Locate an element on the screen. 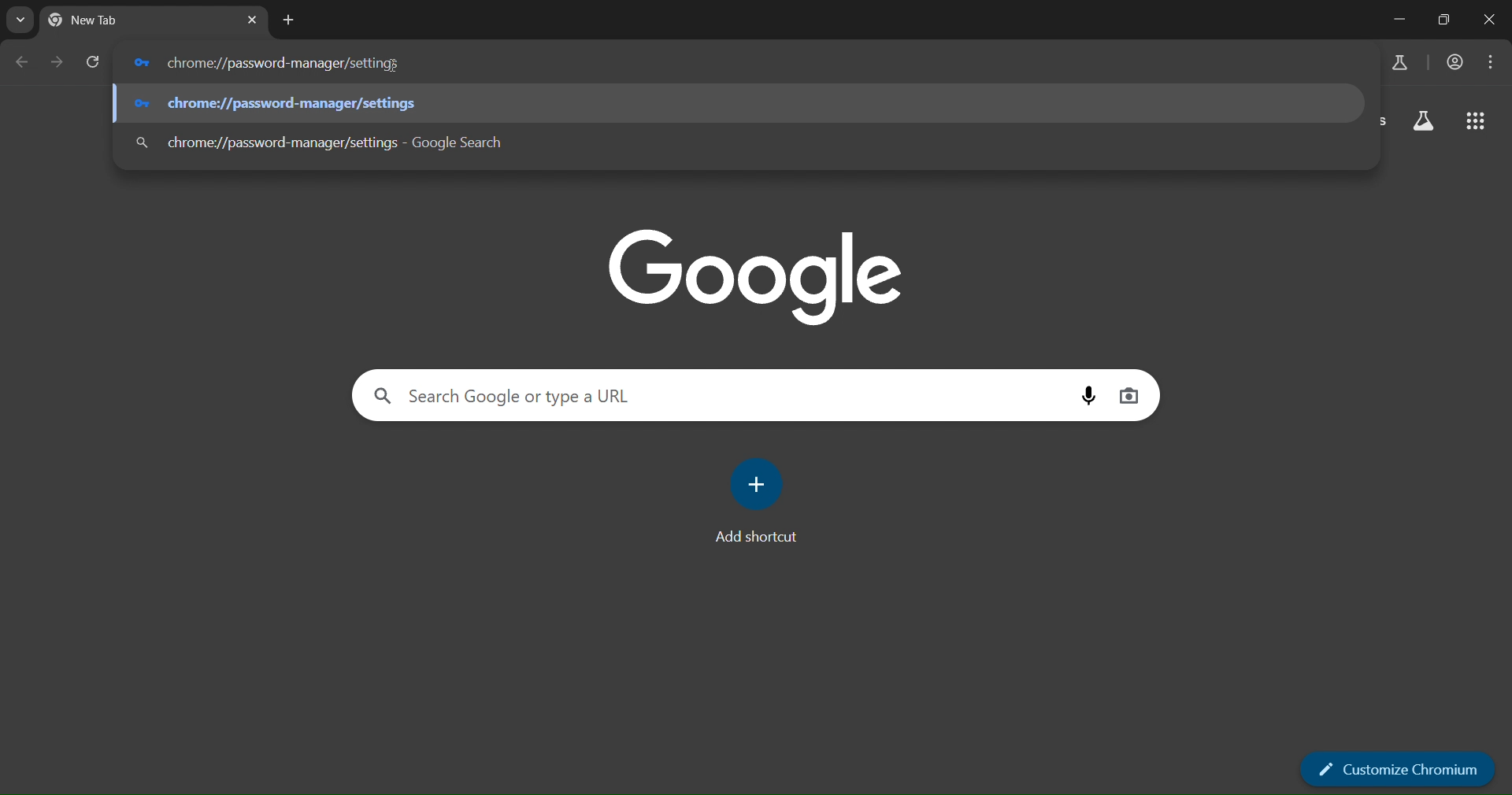 The image size is (1512, 795). customize chromium is located at coordinates (1399, 773).